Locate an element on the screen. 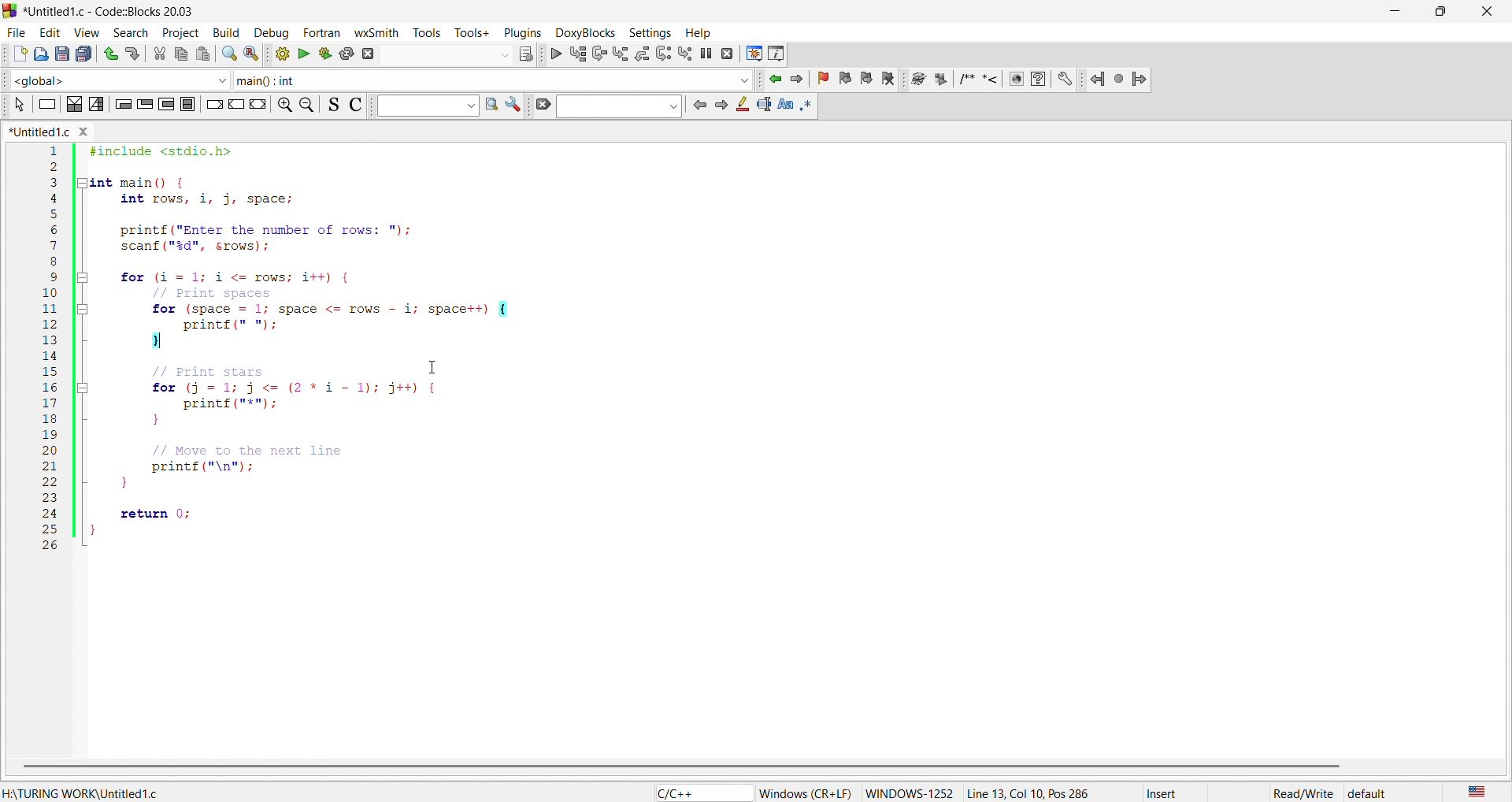 The height and width of the screenshot is (802, 1512). function name is located at coordinates (496, 79).